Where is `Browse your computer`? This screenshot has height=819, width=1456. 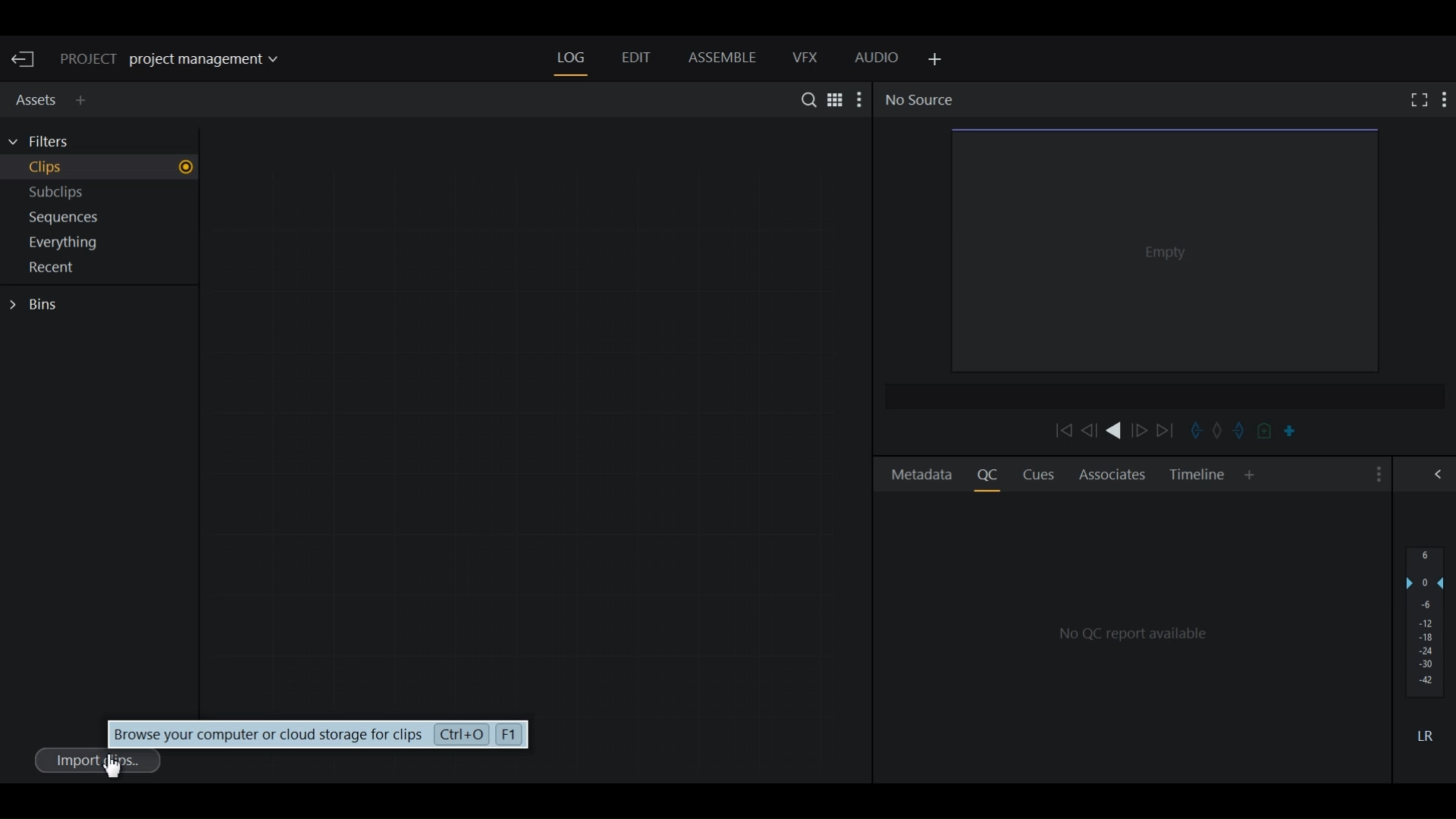
Browse your computer is located at coordinates (319, 733).